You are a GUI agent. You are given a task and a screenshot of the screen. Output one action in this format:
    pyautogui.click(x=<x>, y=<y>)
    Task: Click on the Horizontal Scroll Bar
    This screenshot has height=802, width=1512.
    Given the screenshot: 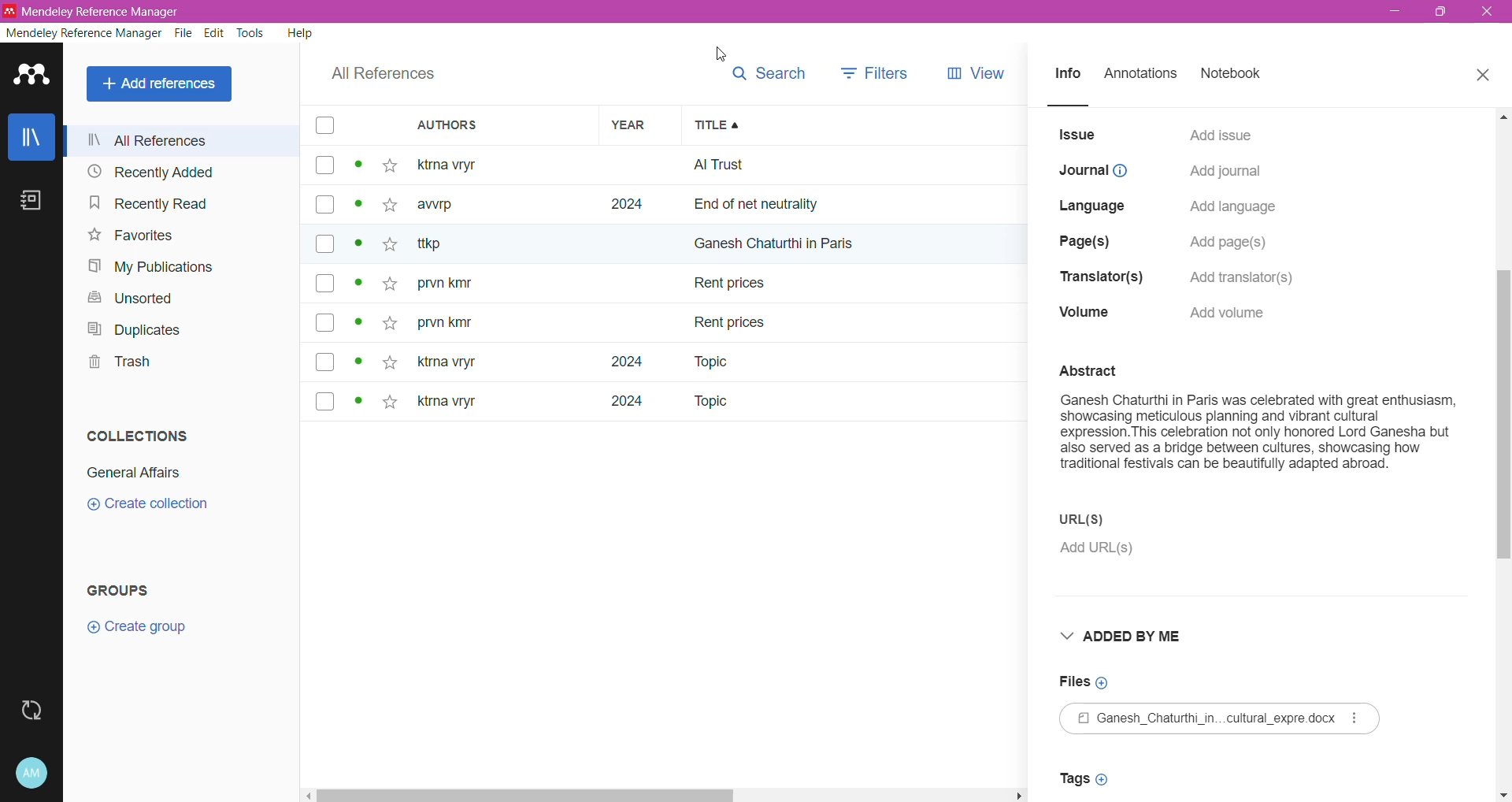 What is the action you would take?
    pyautogui.click(x=667, y=796)
    